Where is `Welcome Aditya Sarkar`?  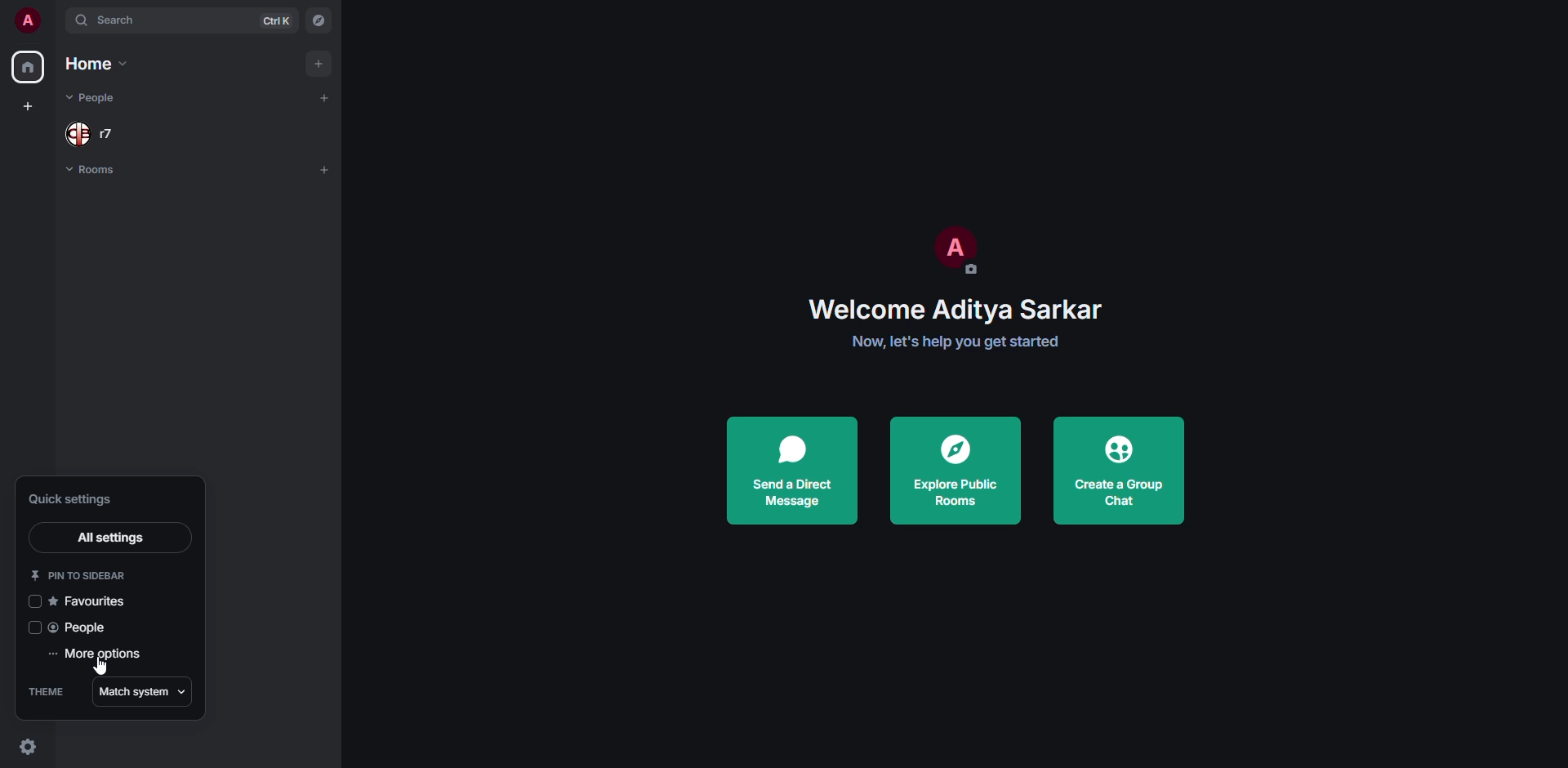 Welcome Aditya Sarkar is located at coordinates (961, 308).